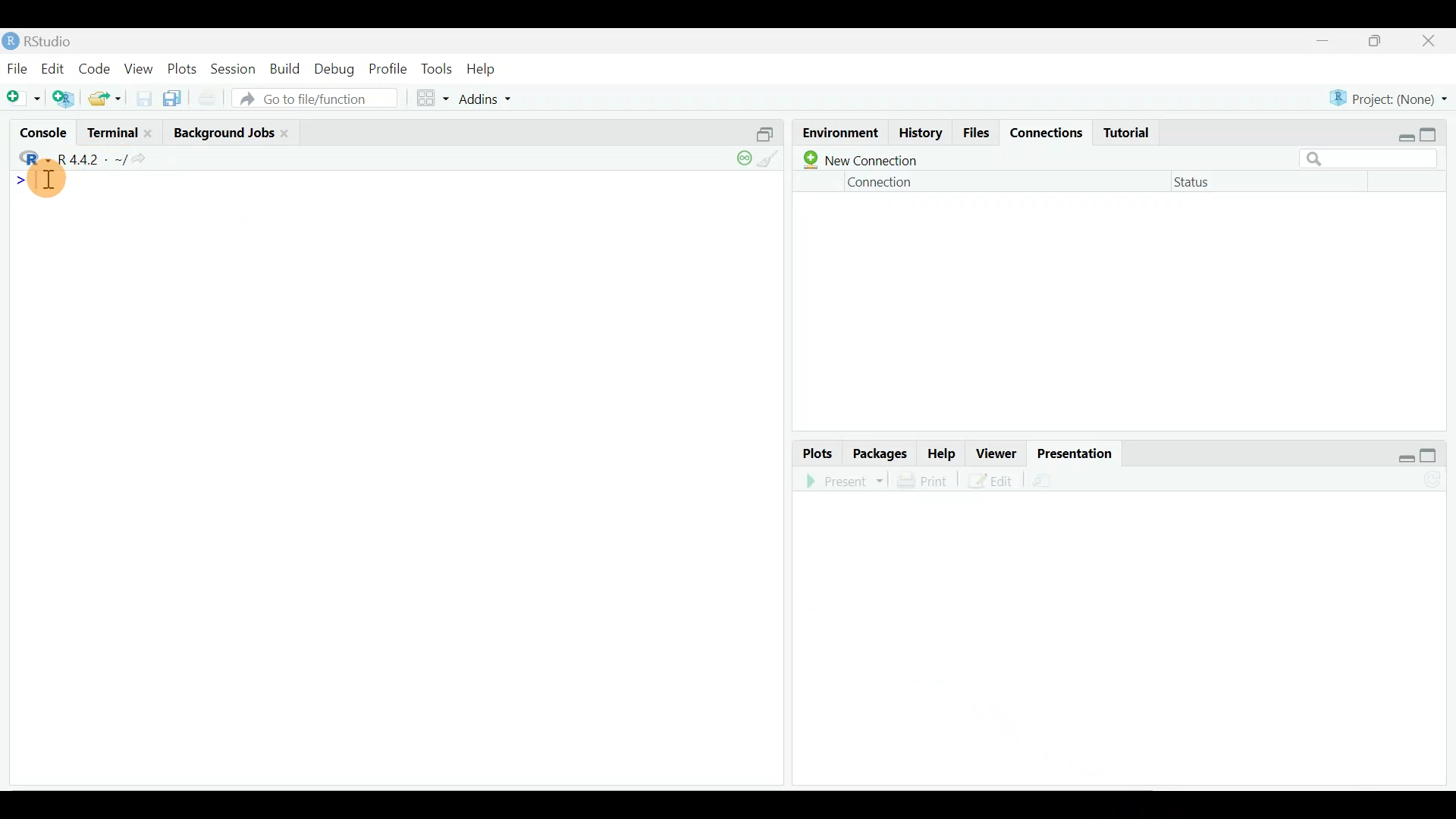  What do you see at coordinates (1434, 480) in the screenshot?
I see `Refresh the presentation preview` at bounding box center [1434, 480].